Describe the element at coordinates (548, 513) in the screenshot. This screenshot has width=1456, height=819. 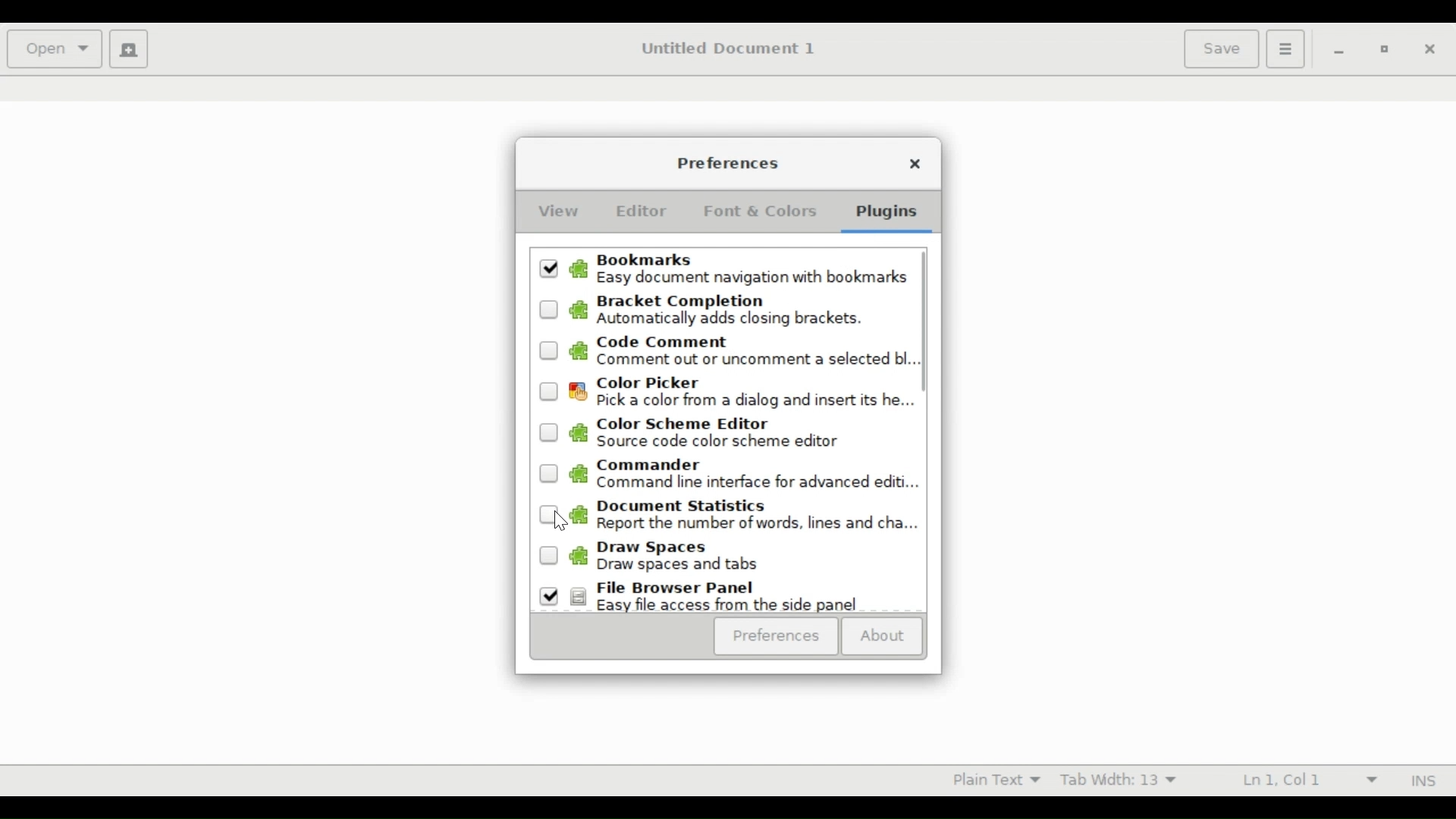
I see `Unselected` at that location.